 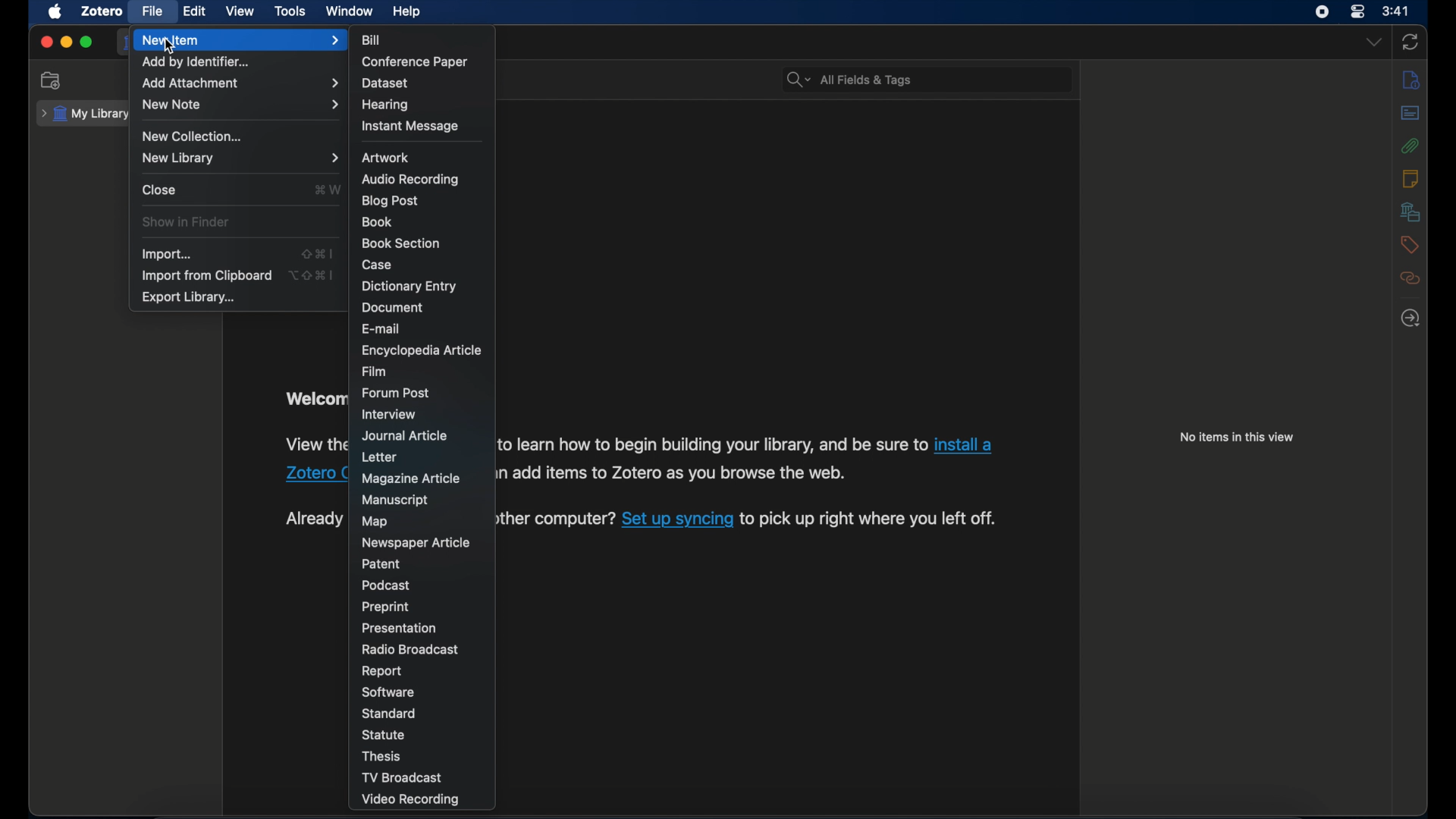 I want to click on control center, so click(x=1357, y=11).